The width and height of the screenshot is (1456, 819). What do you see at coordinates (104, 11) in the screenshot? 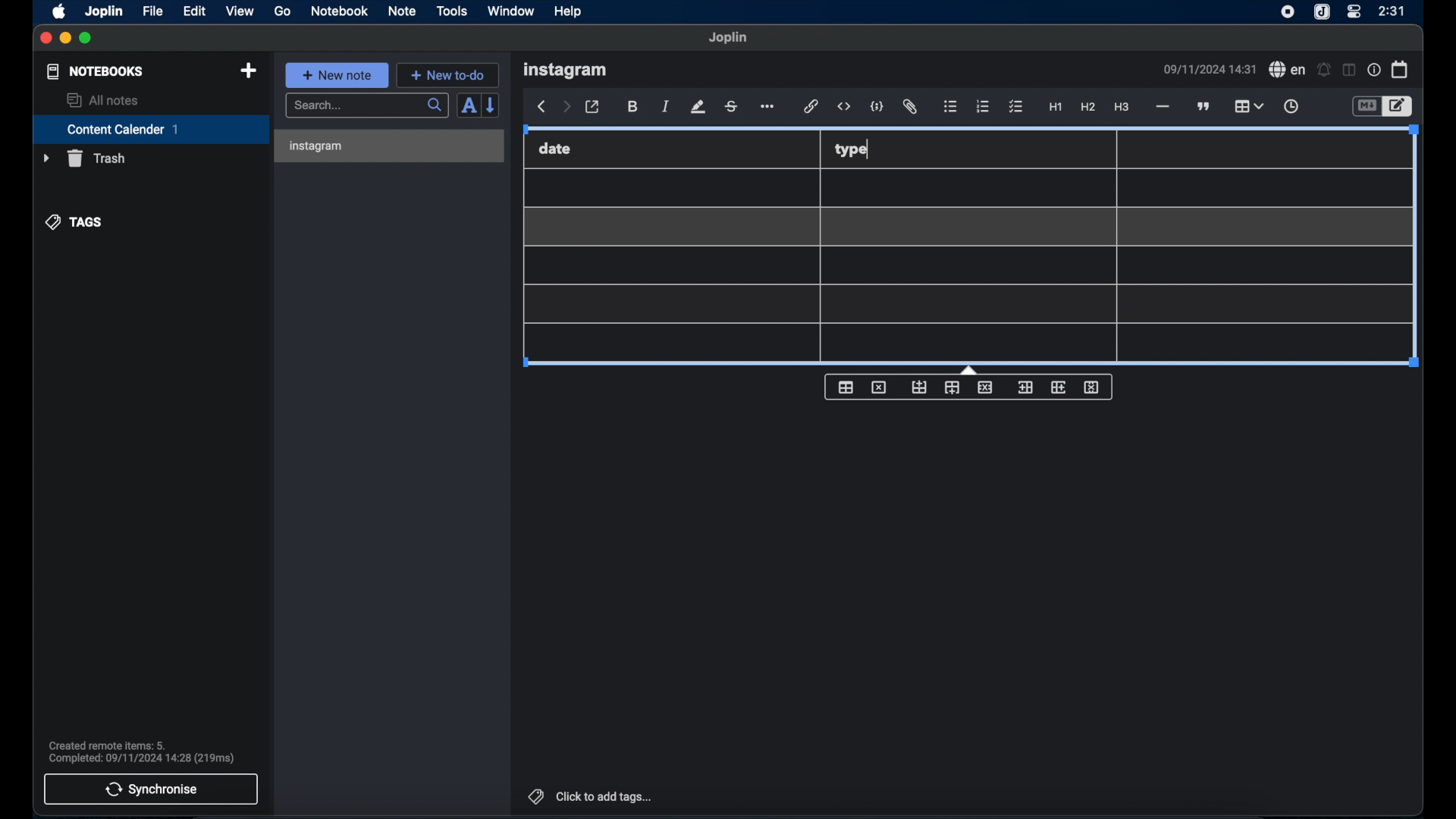
I see `joplin` at bounding box center [104, 11].